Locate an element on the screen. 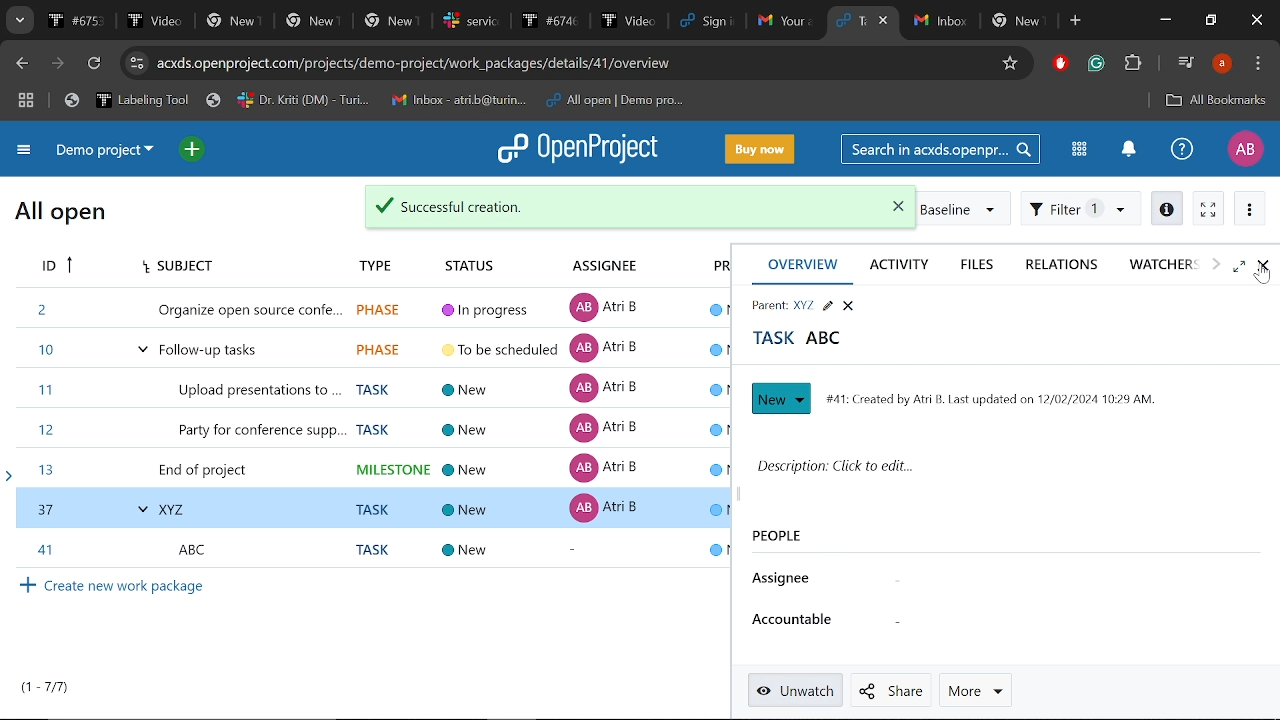 This screenshot has height=720, width=1280. Assignee is located at coordinates (786, 581).